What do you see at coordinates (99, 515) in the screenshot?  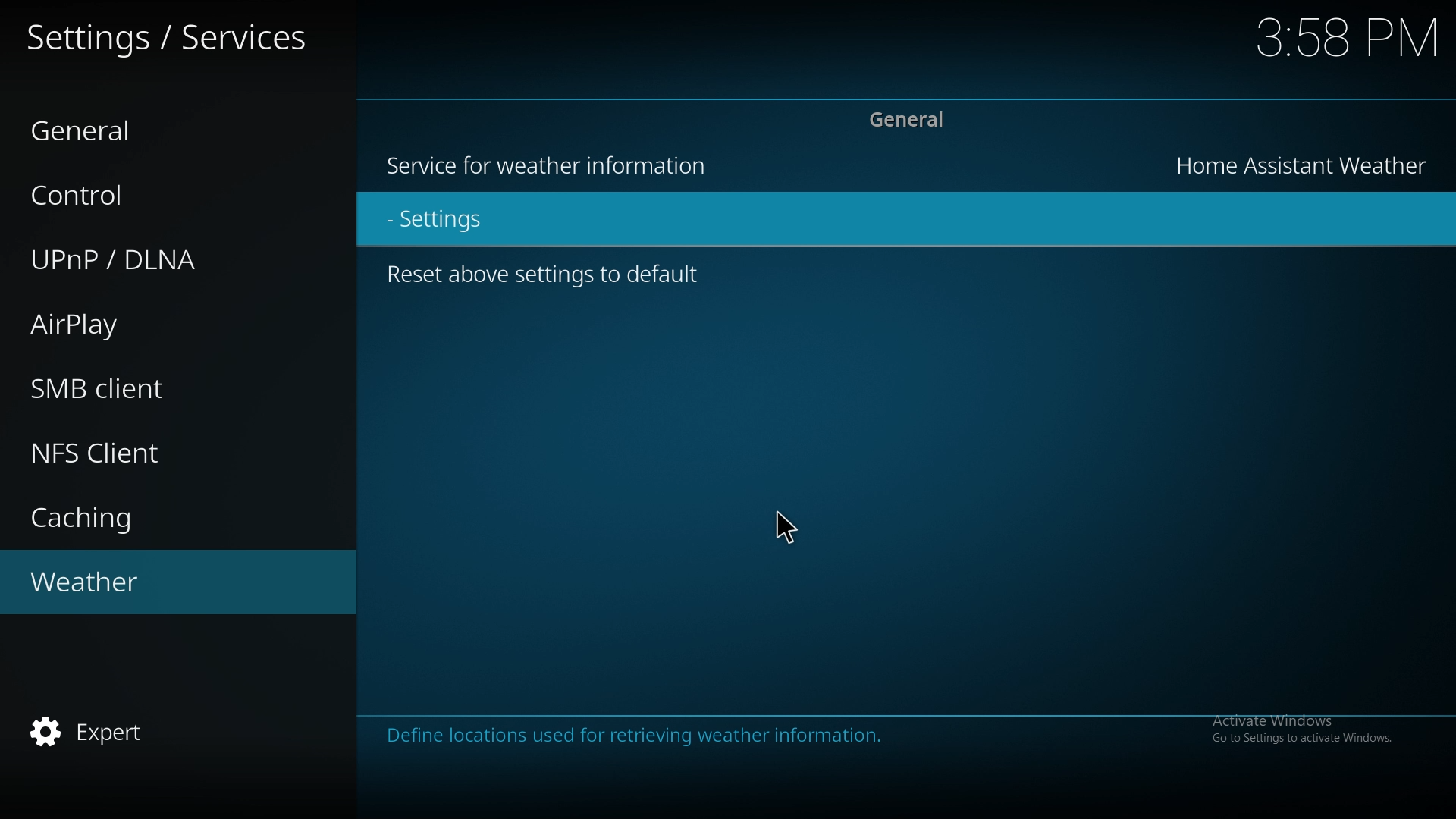 I see `Caching` at bounding box center [99, 515].